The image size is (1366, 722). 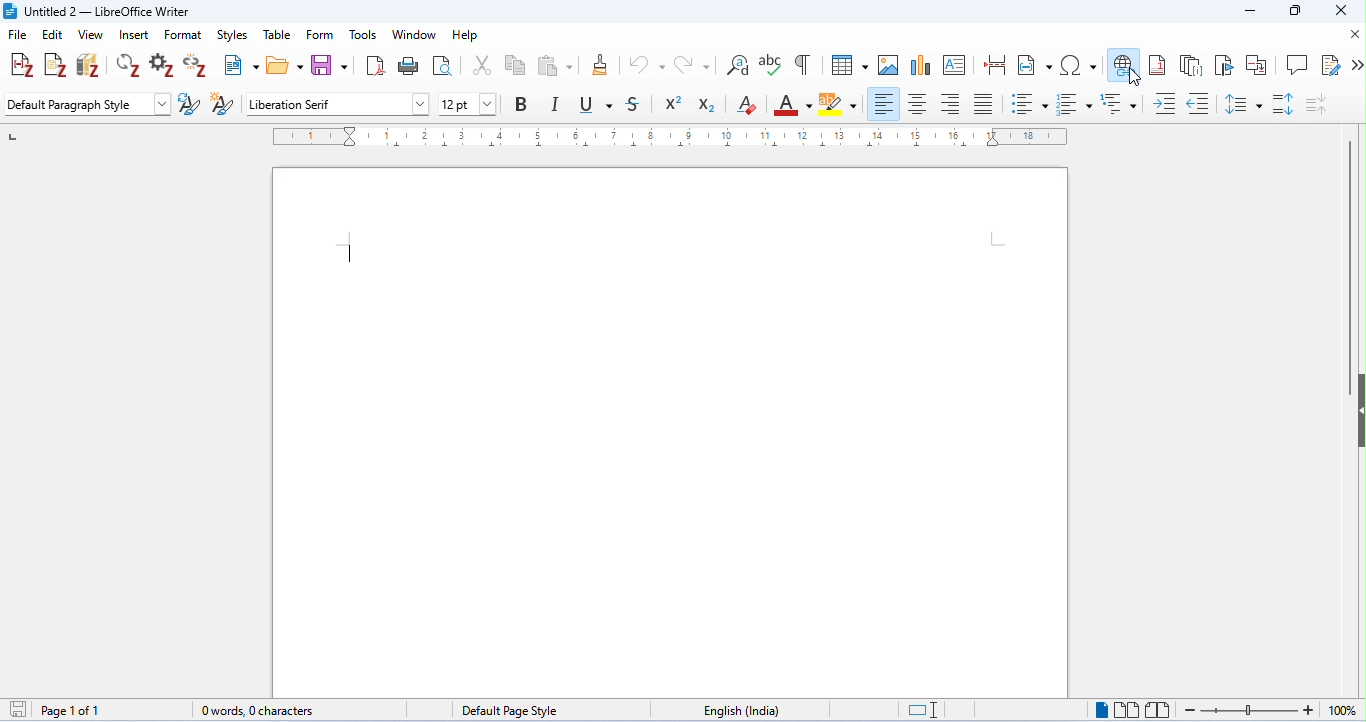 I want to click on justified, so click(x=987, y=104).